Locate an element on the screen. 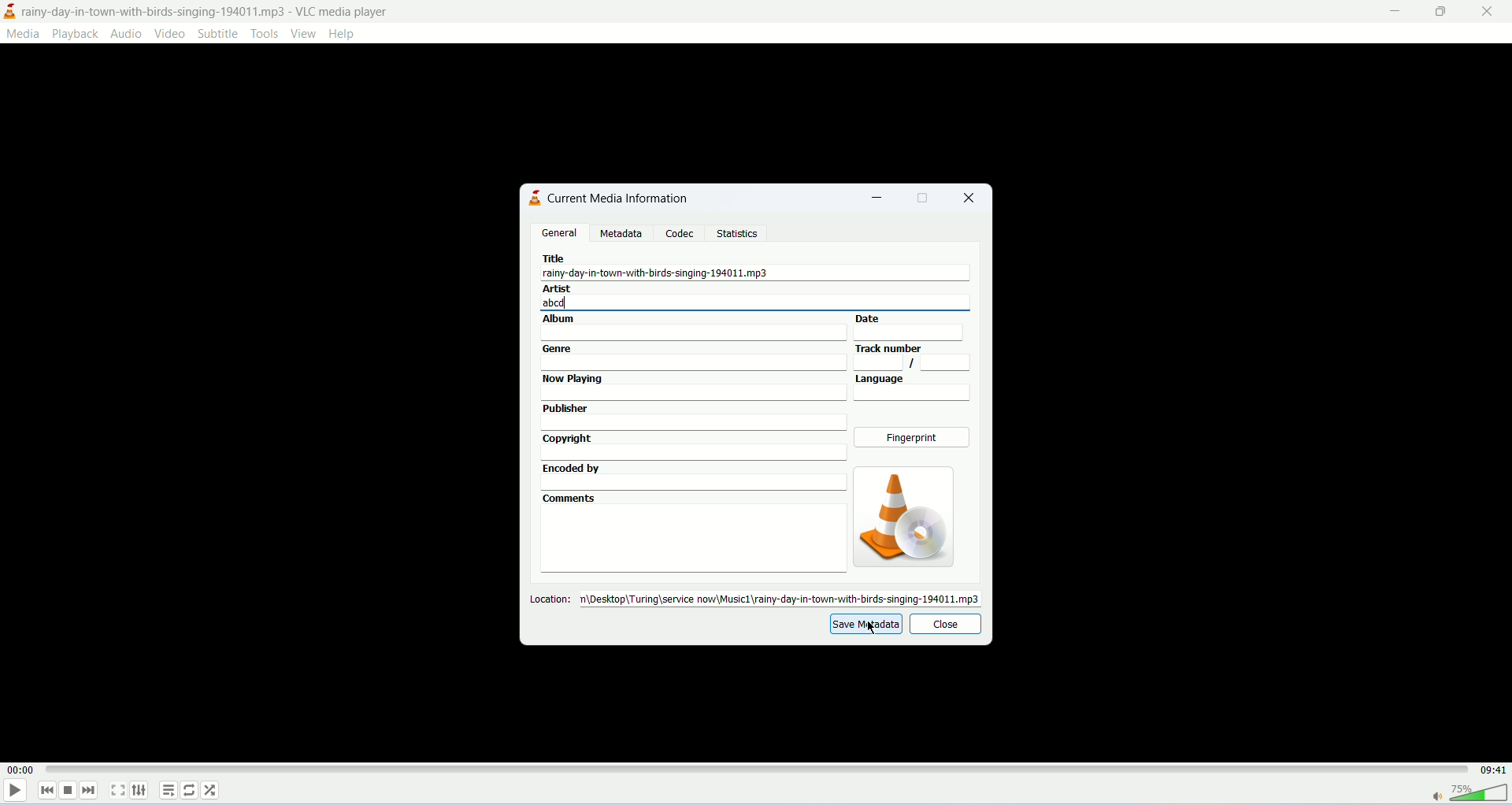  genre is located at coordinates (692, 357).